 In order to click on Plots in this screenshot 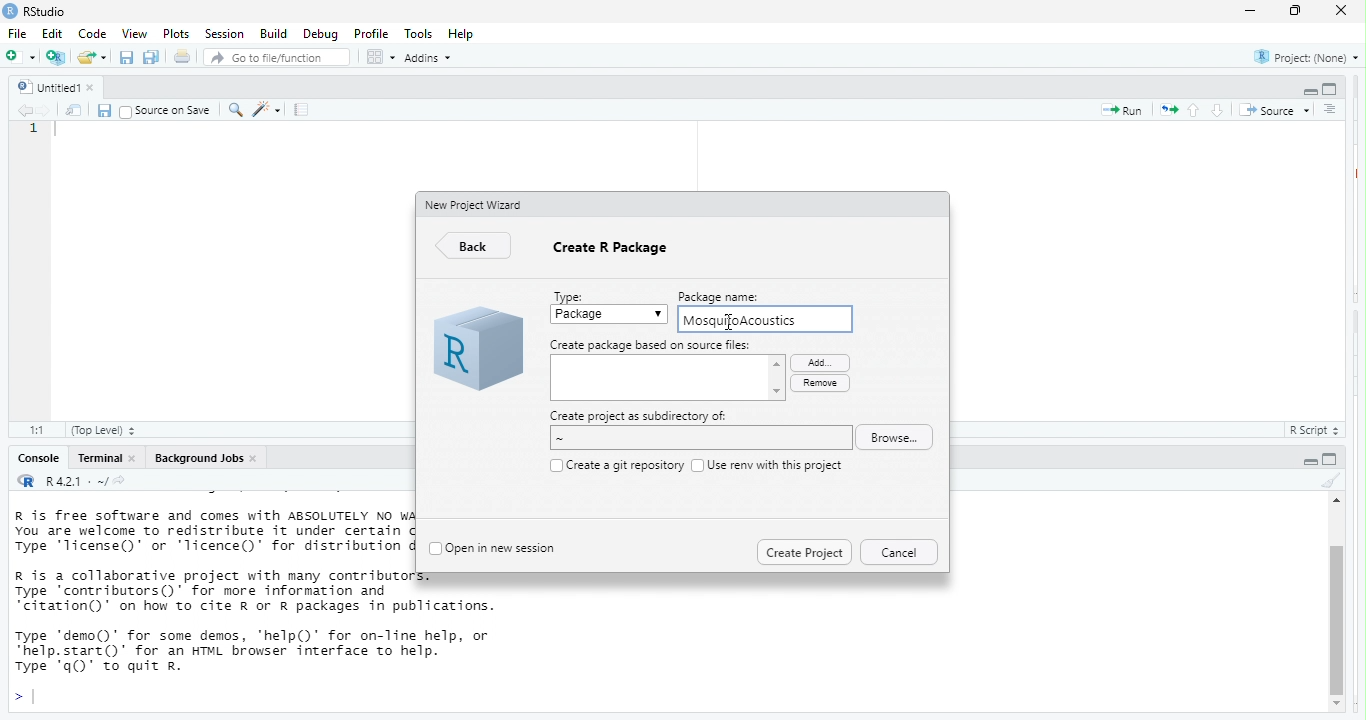, I will do `click(176, 33)`.